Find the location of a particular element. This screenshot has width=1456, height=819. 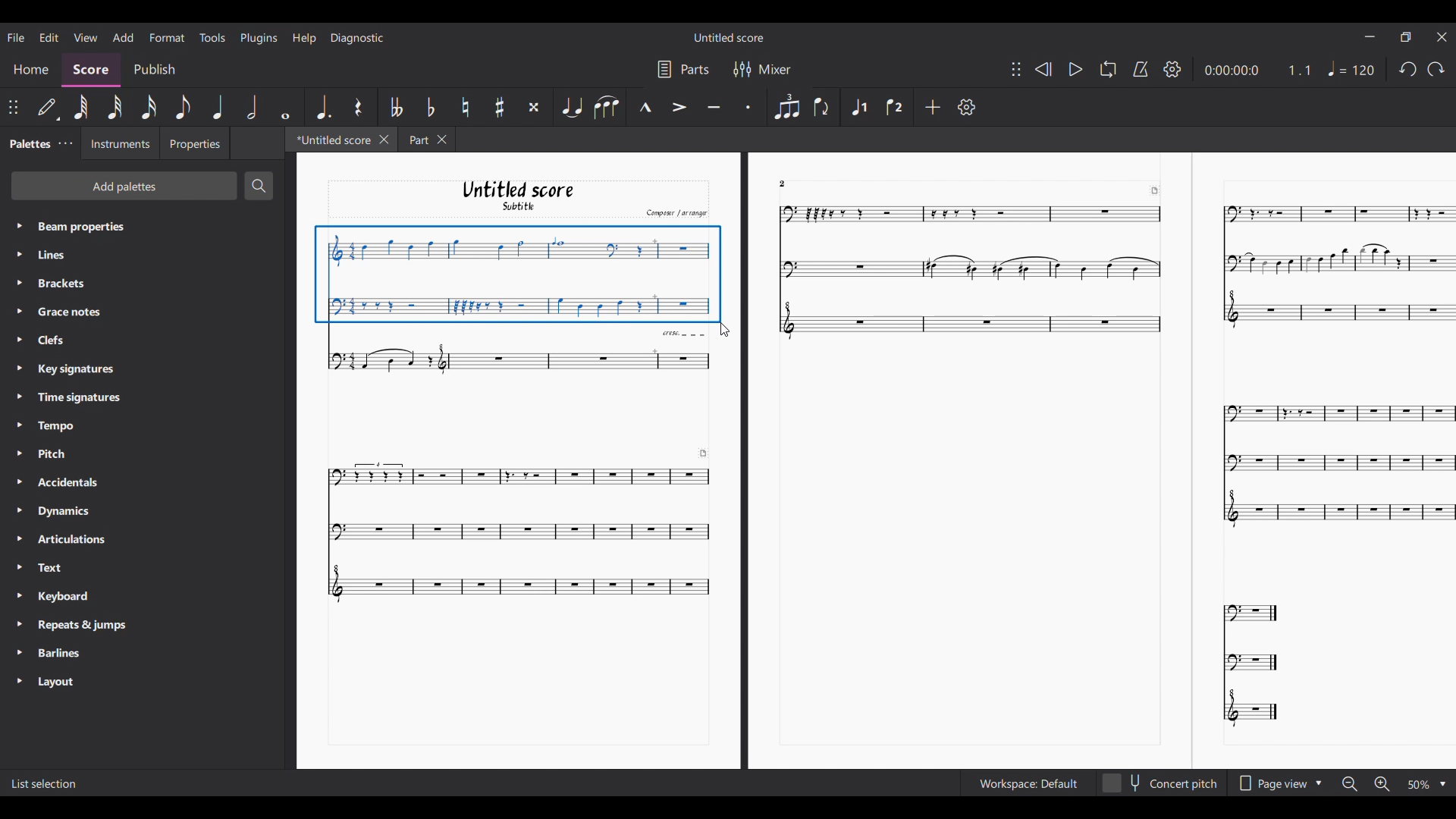

Parts is located at coordinates (695, 69).